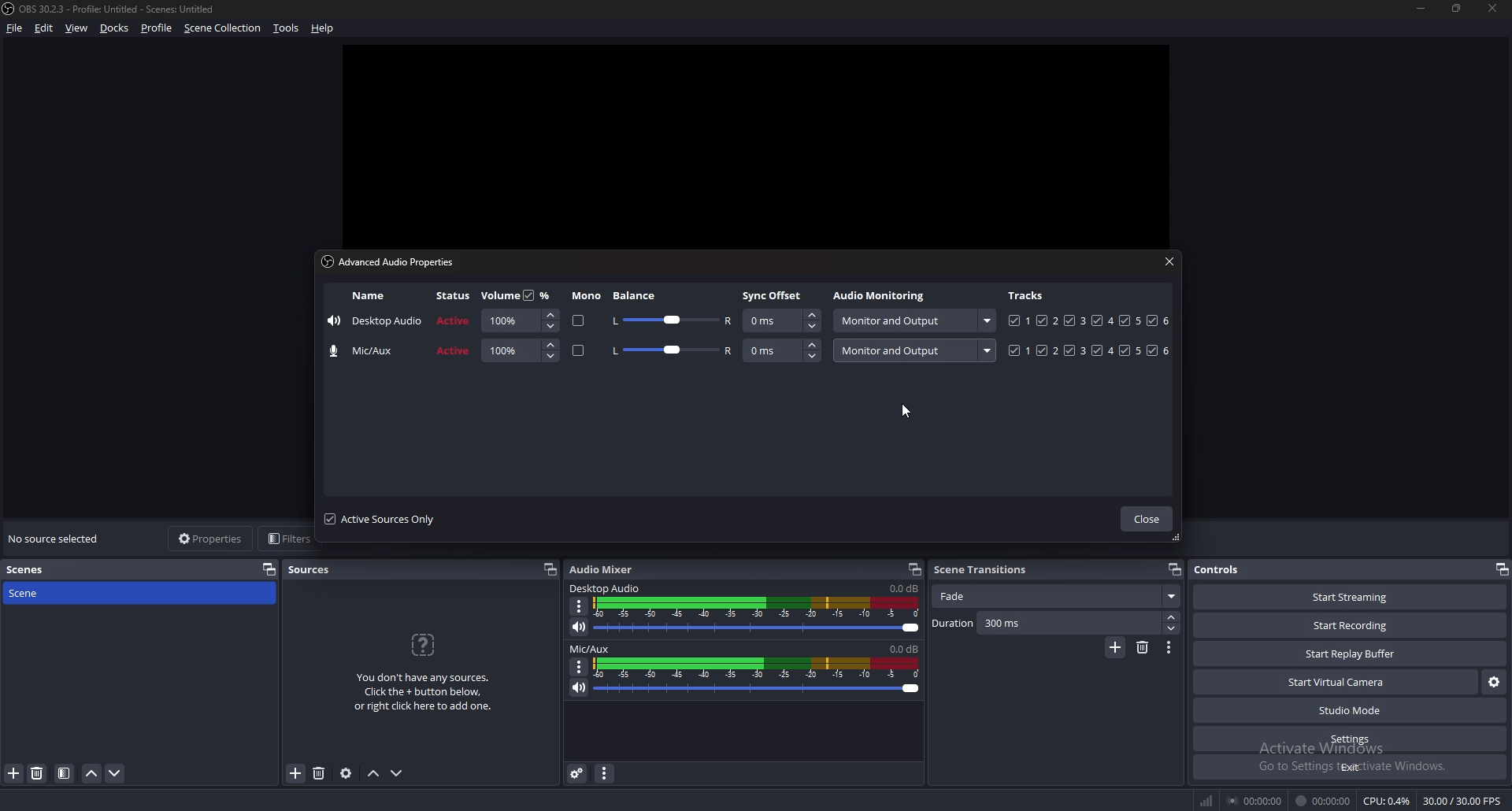  I want to click on tracks, so click(1028, 295).